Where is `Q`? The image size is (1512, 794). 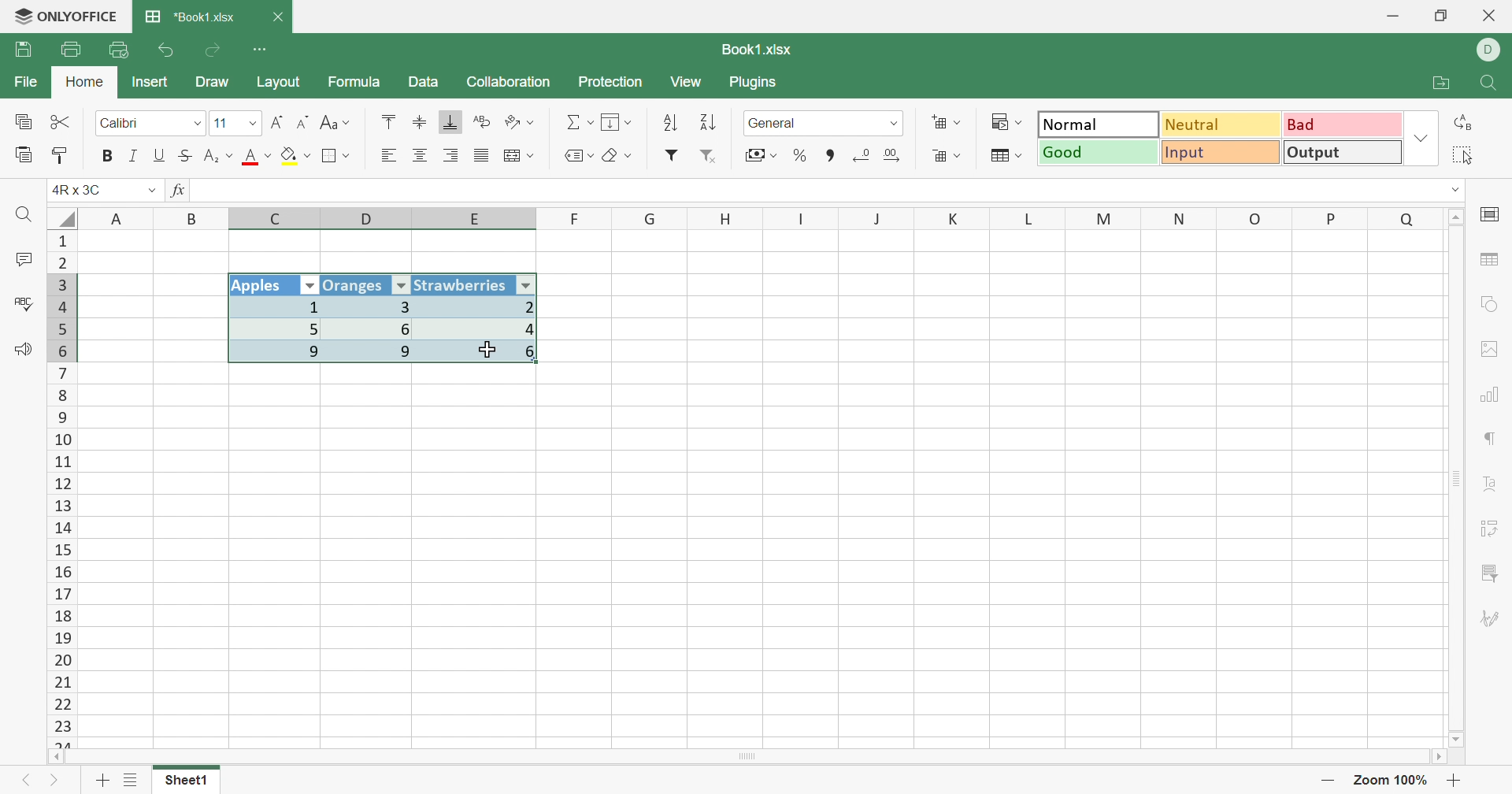 Q is located at coordinates (1406, 217).